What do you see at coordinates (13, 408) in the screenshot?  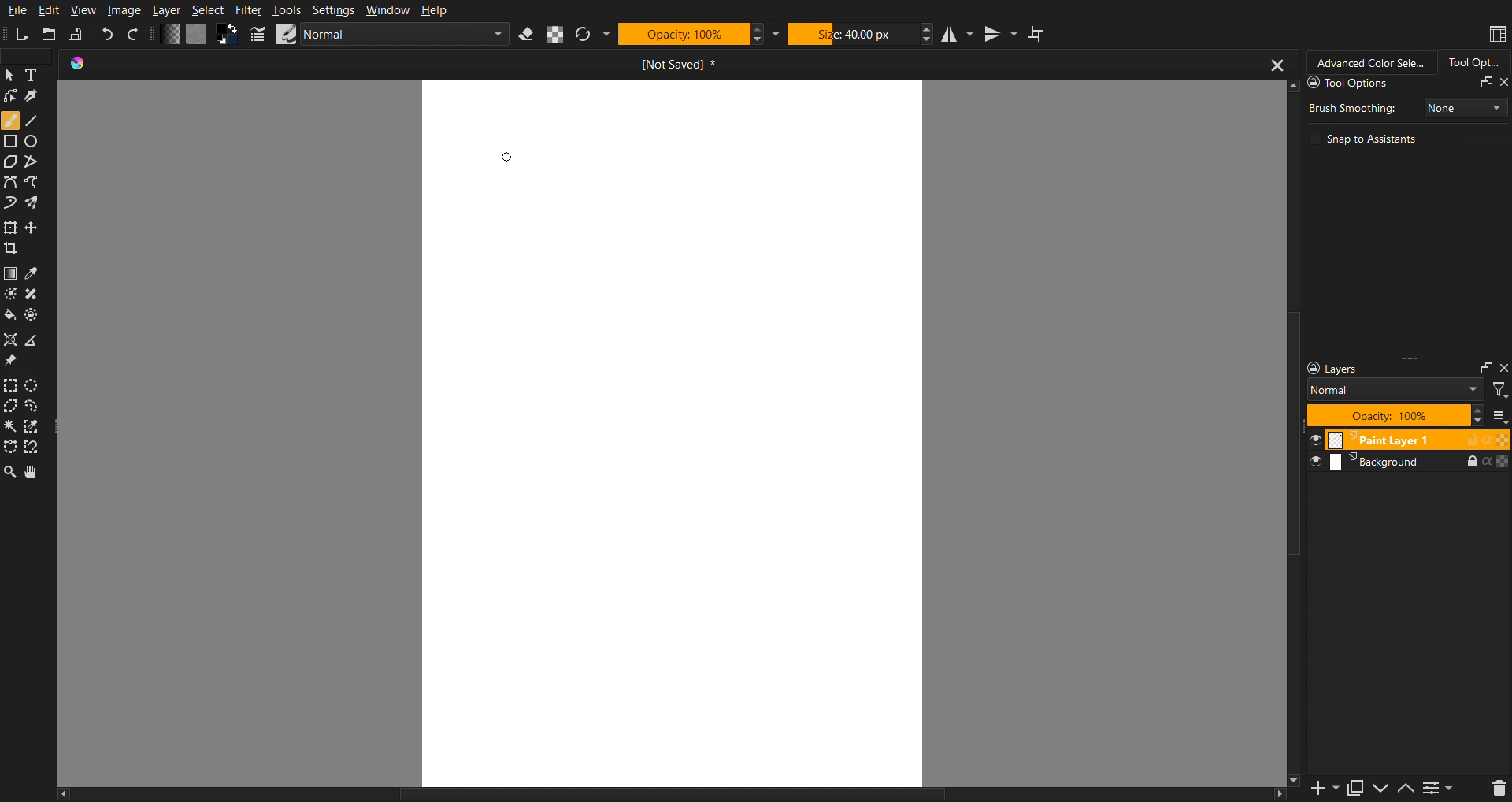 I see `Polygon Marquee Tool` at bounding box center [13, 408].